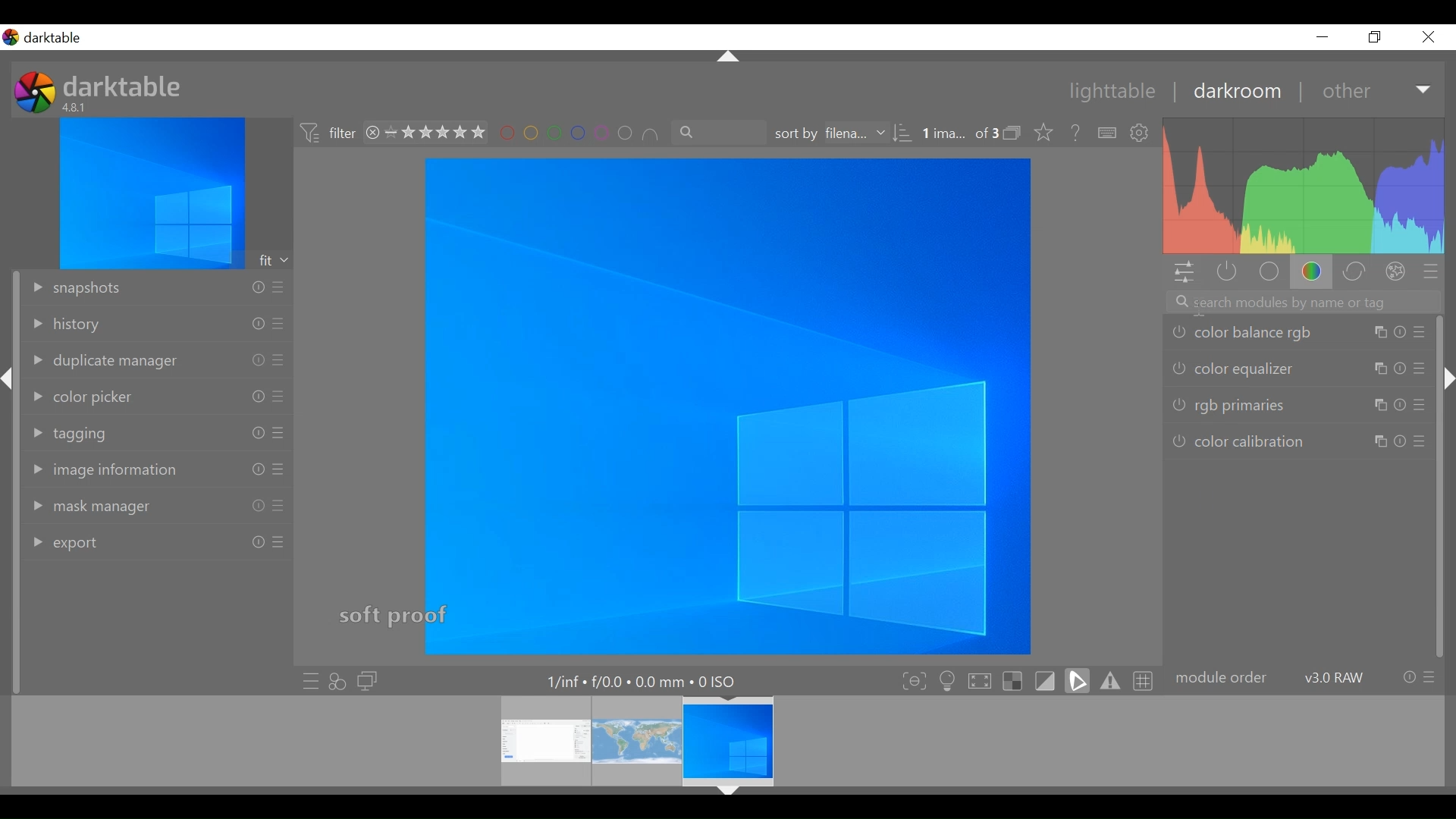  Describe the element at coordinates (279, 542) in the screenshot. I see `presets` at that location.